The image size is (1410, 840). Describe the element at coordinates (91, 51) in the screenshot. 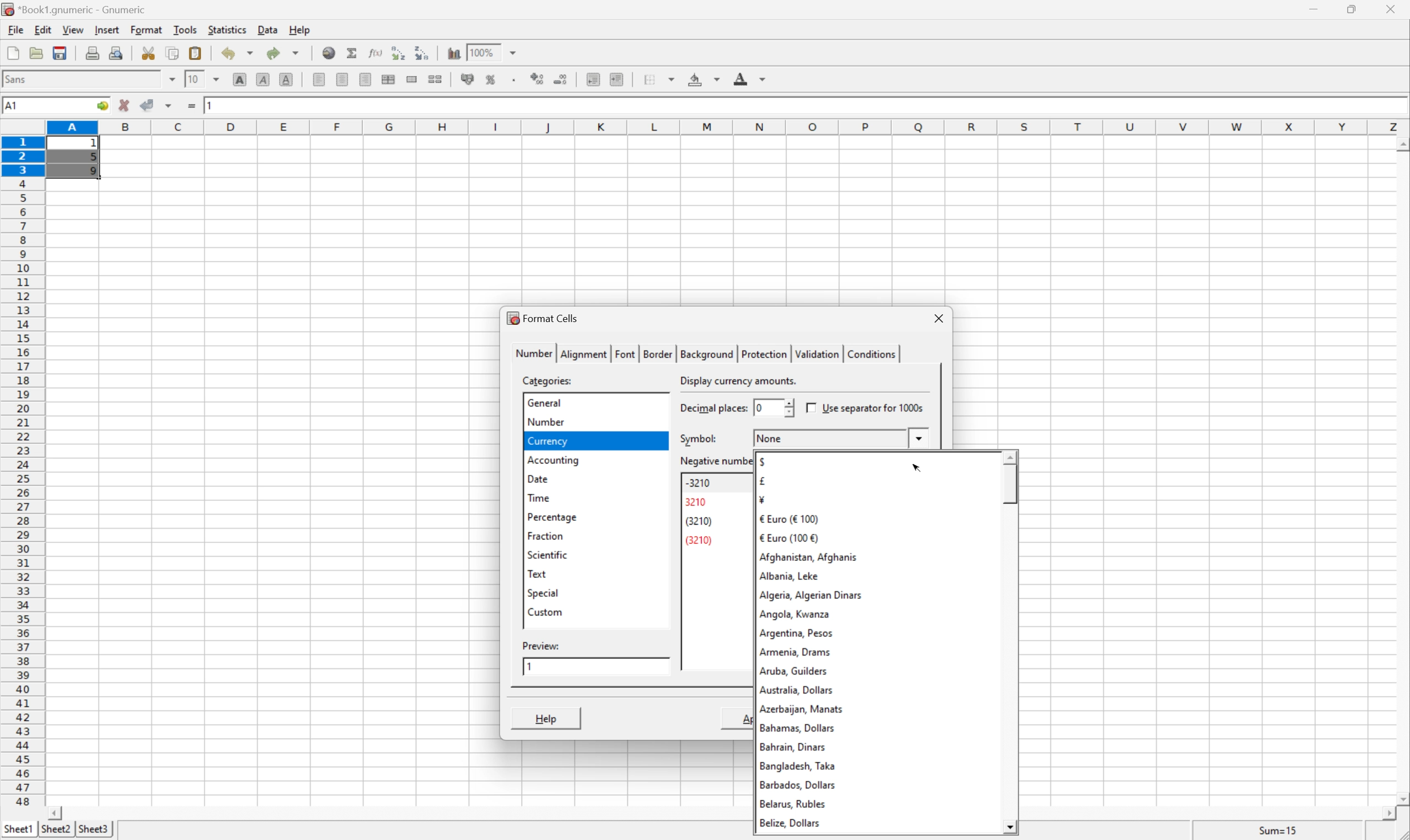

I see `print` at that location.